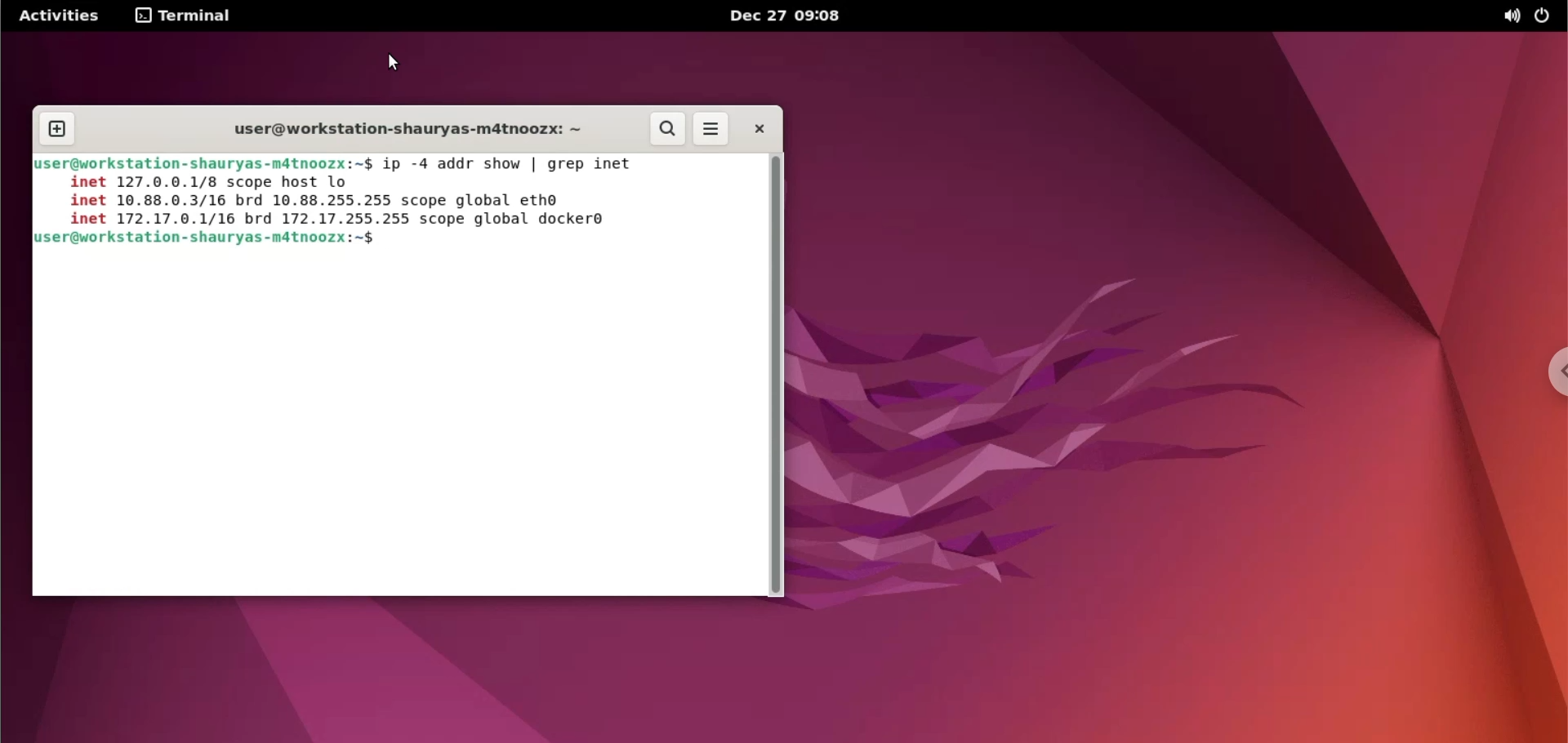 This screenshot has width=1568, height=743. What do you see at coordinates (527, 162) in the screenshot?
I see `ip -4 addr show | grep inet` at bounding box center [527, 162].